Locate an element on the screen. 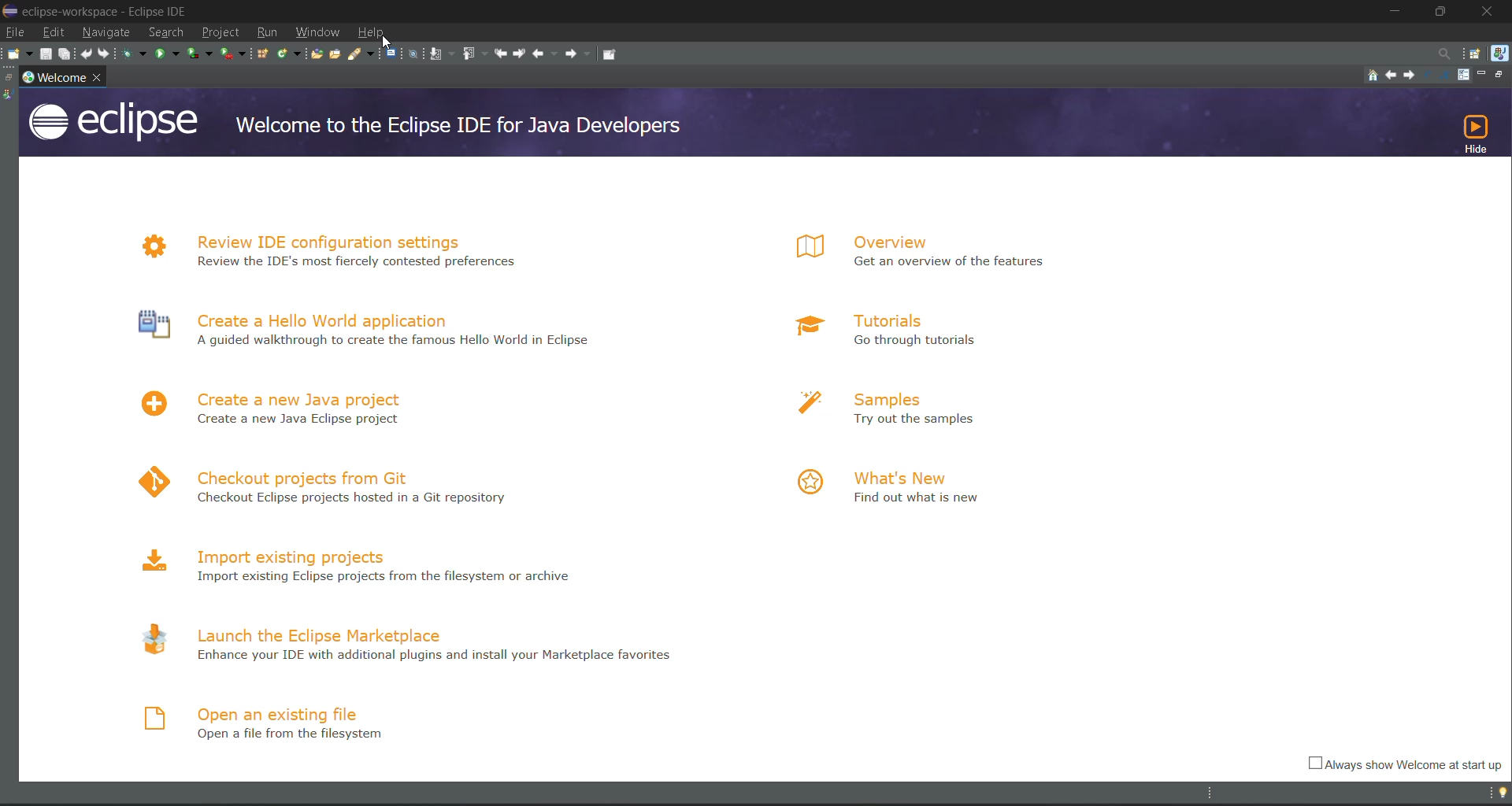 The width and height of the screenshot is (1512, 806). Try out the samples is located at coordinates (904, 420).